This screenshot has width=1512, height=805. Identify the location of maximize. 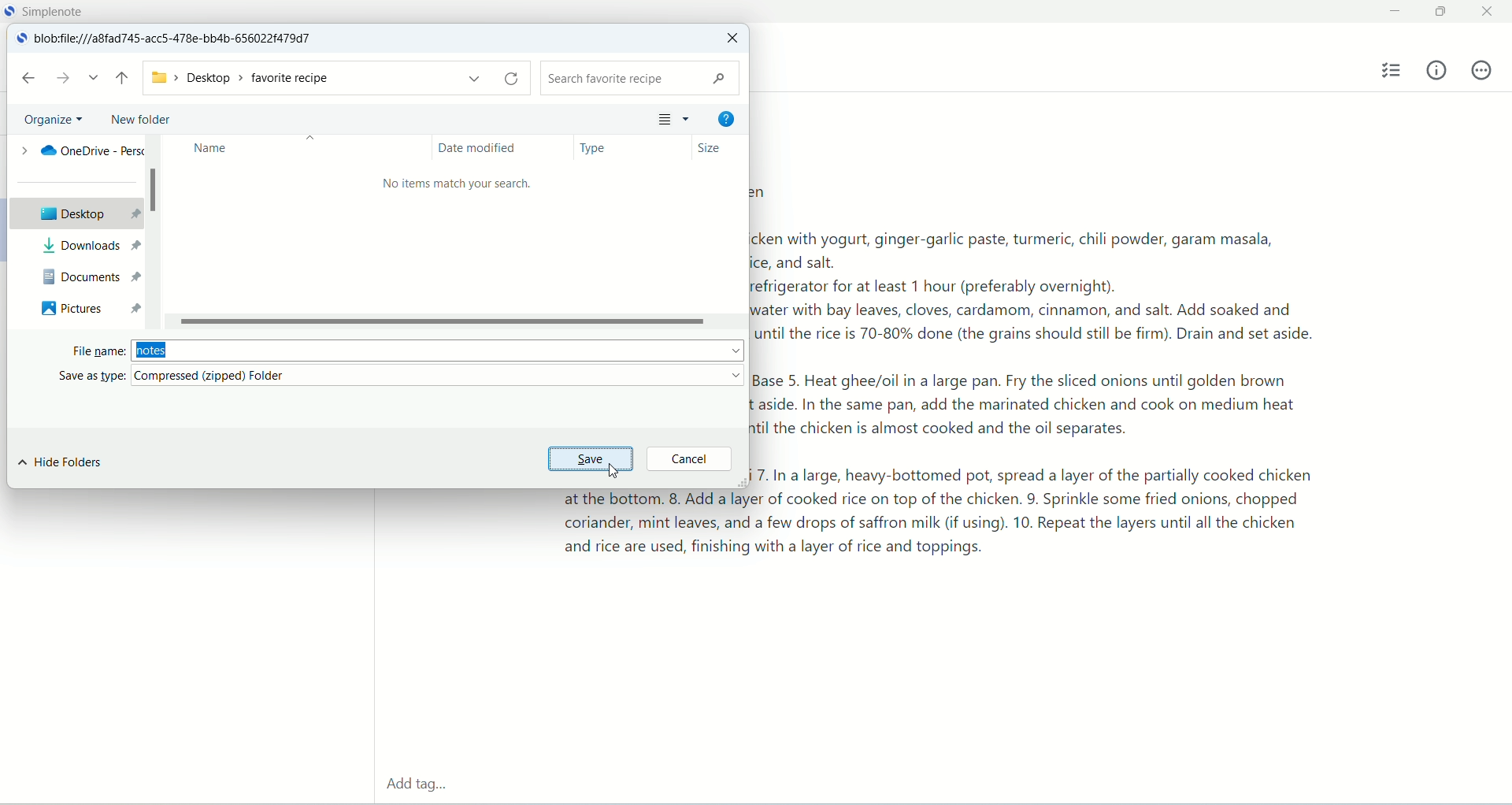
(1443, 13).